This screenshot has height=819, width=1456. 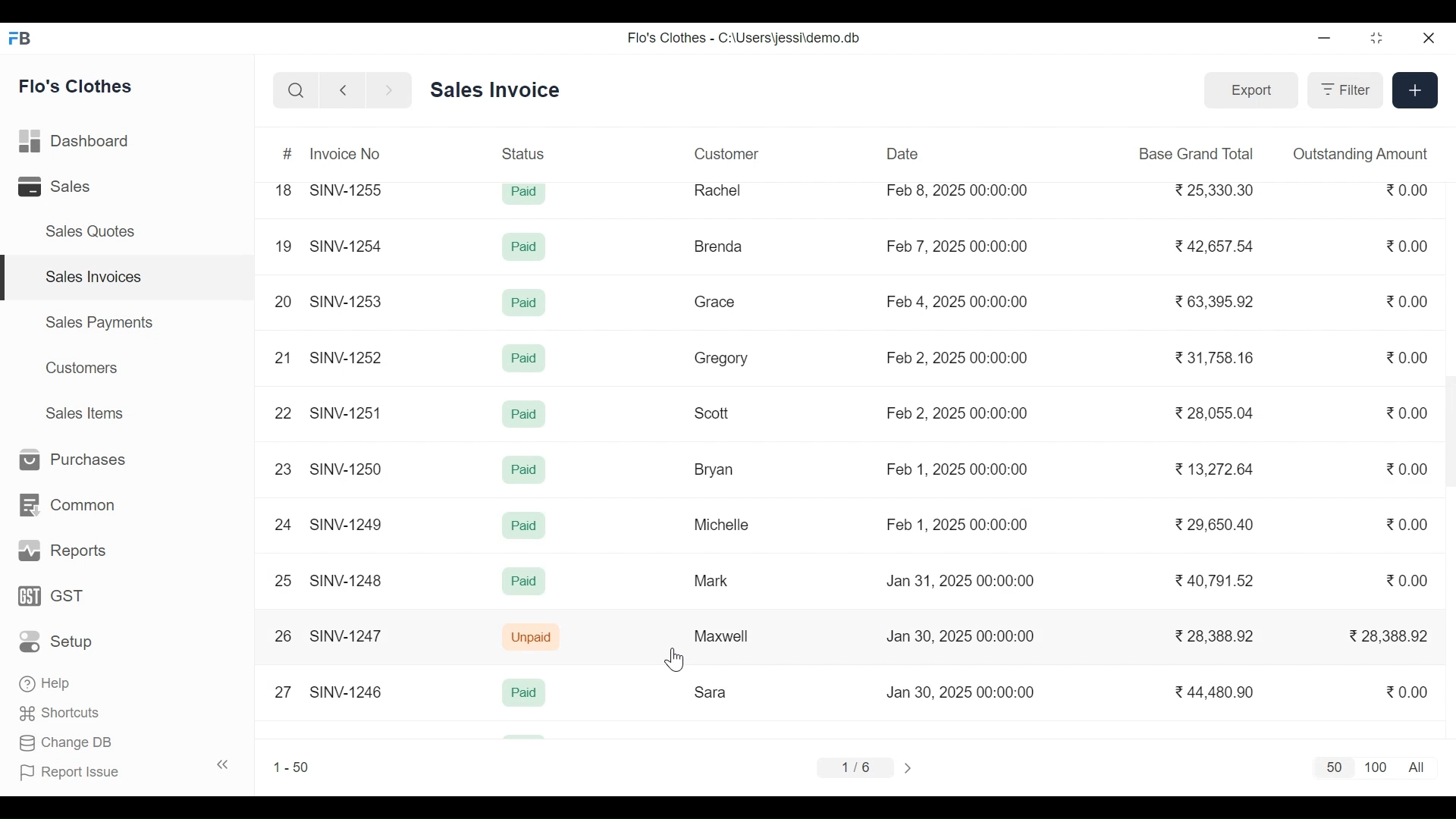 I want to click on 42,657.54, so click(x=1217, y=245).